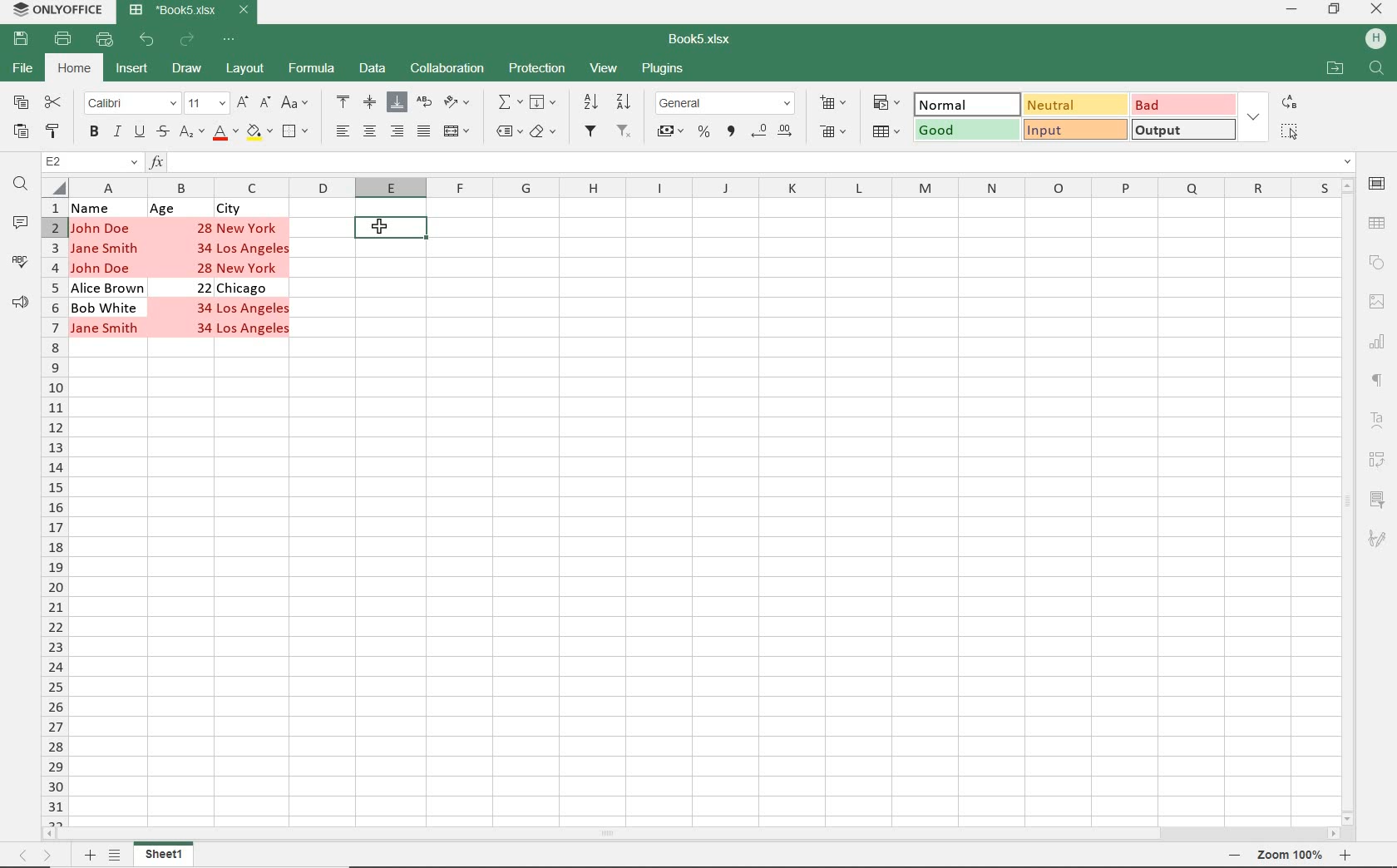  I want to click on NORMAL, so click(962, 104).